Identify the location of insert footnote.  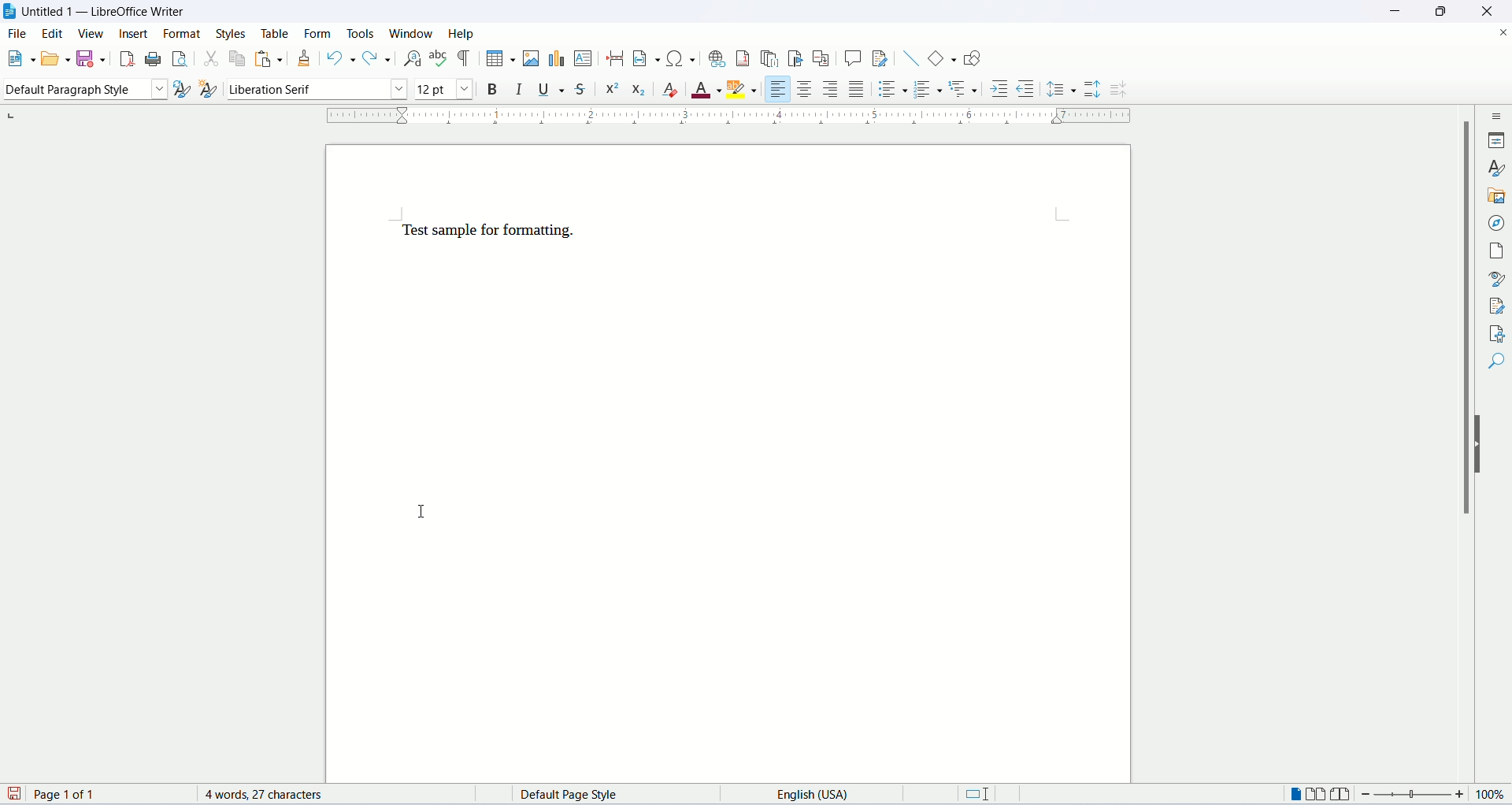
(744, 58).